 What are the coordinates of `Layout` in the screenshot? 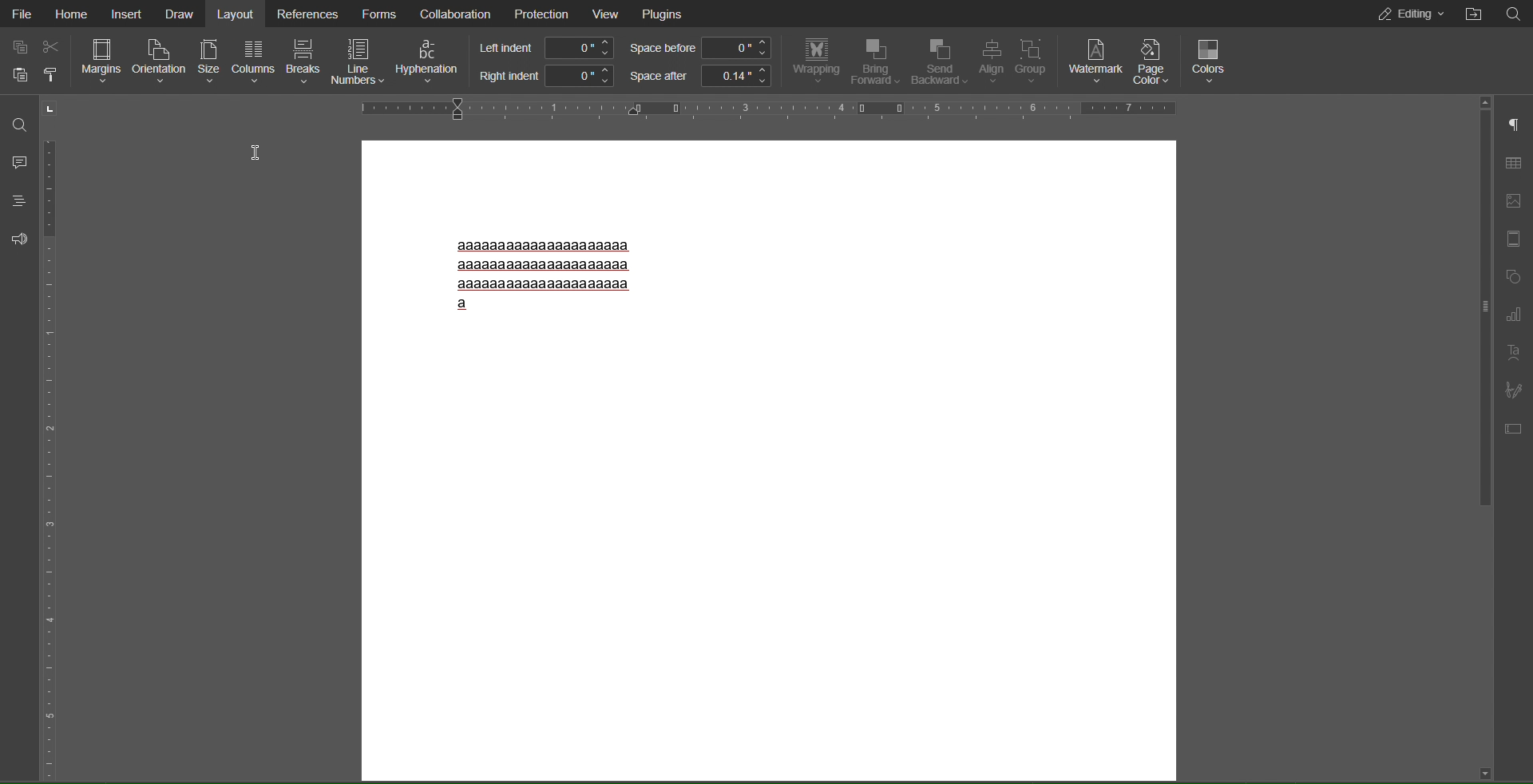 It's located at (237, 14).